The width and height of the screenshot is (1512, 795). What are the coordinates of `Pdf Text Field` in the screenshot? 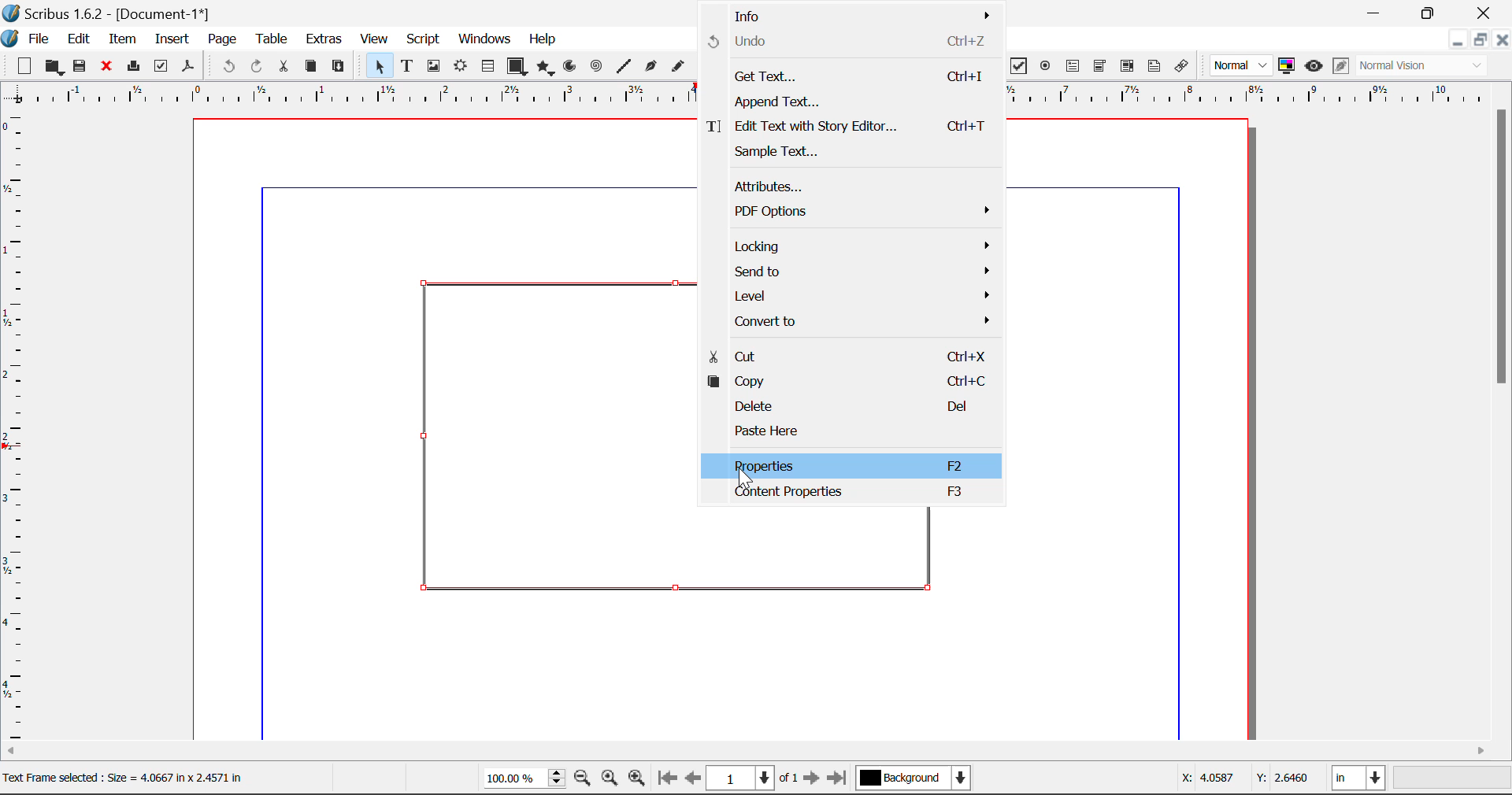 It's located at (1073, 65).